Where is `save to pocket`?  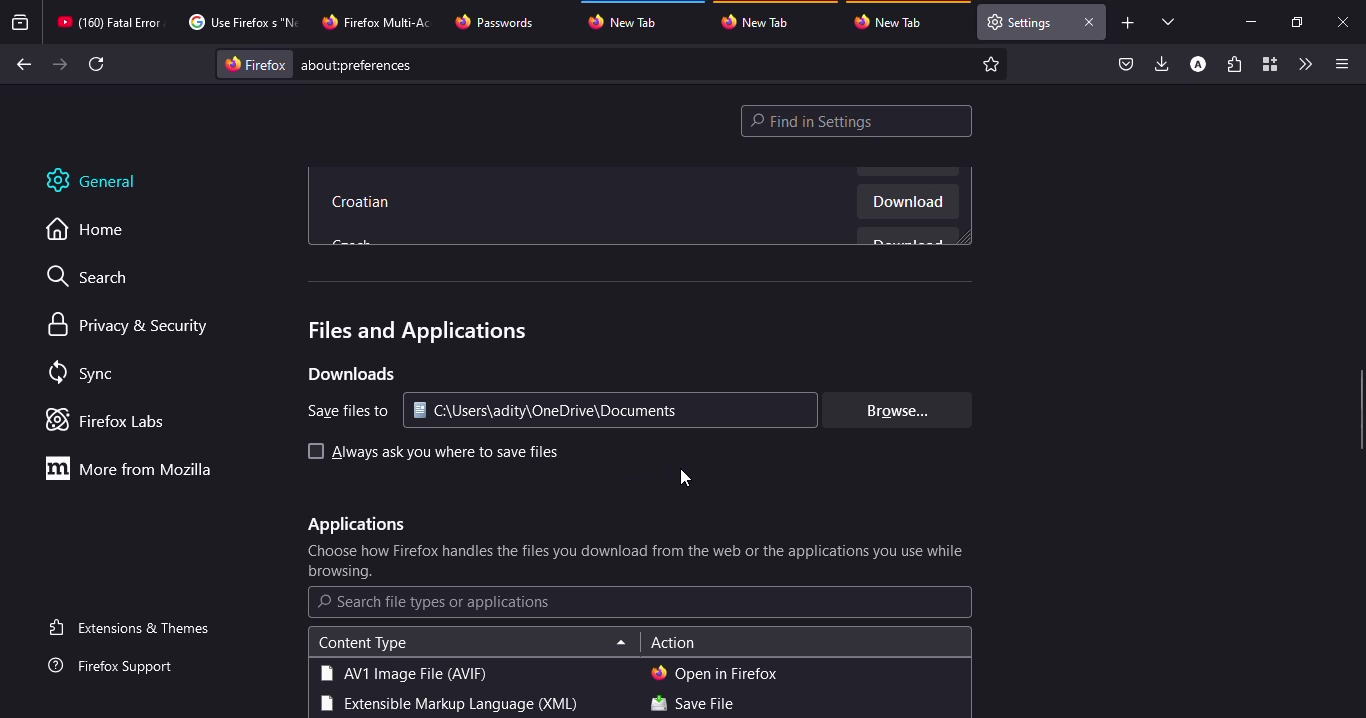
save to pocket is located at coordinates (1126, 65).